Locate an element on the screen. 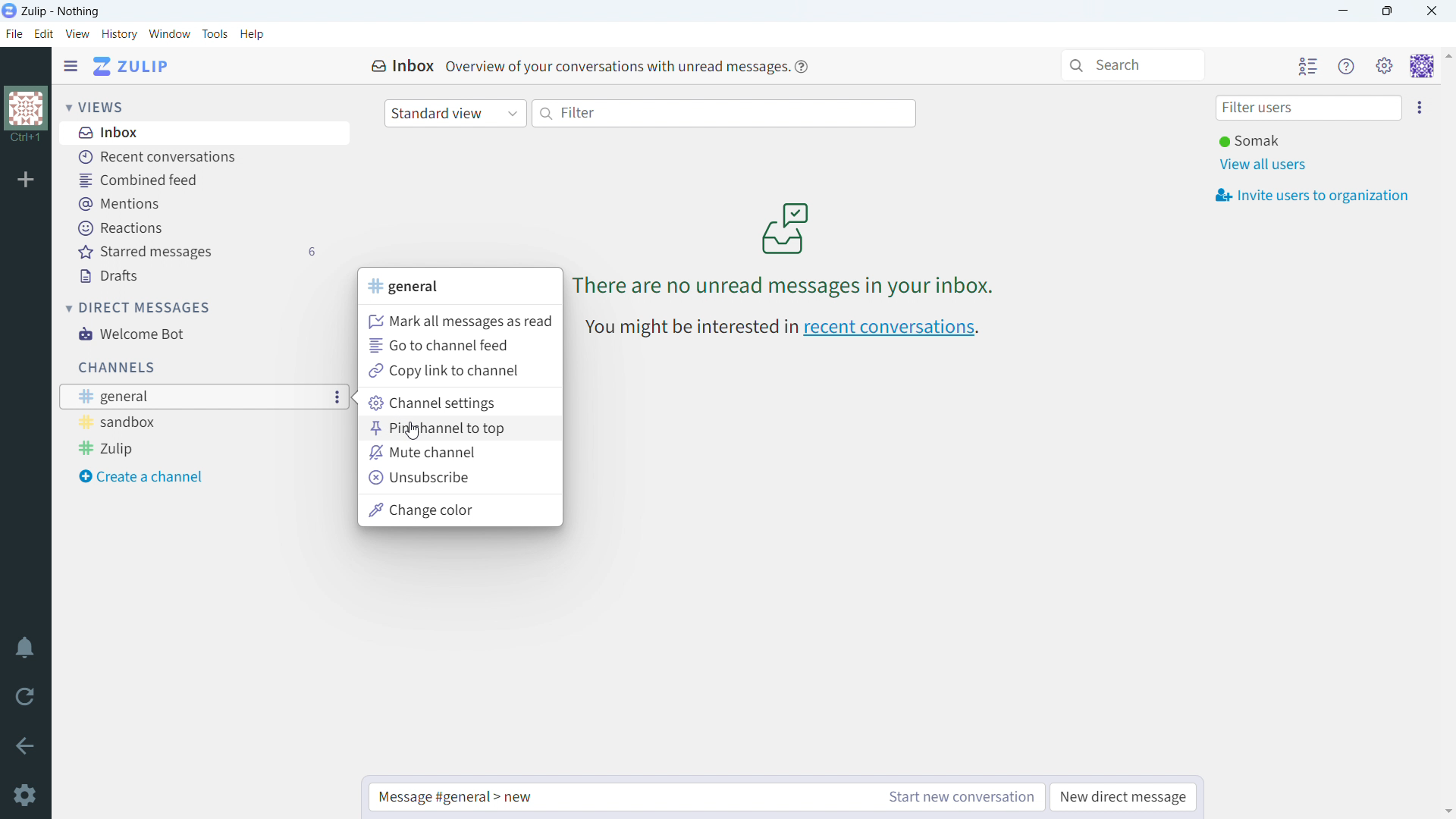 The image size is (1456, 819). unsubscribe is located at coordinates (460, 479).